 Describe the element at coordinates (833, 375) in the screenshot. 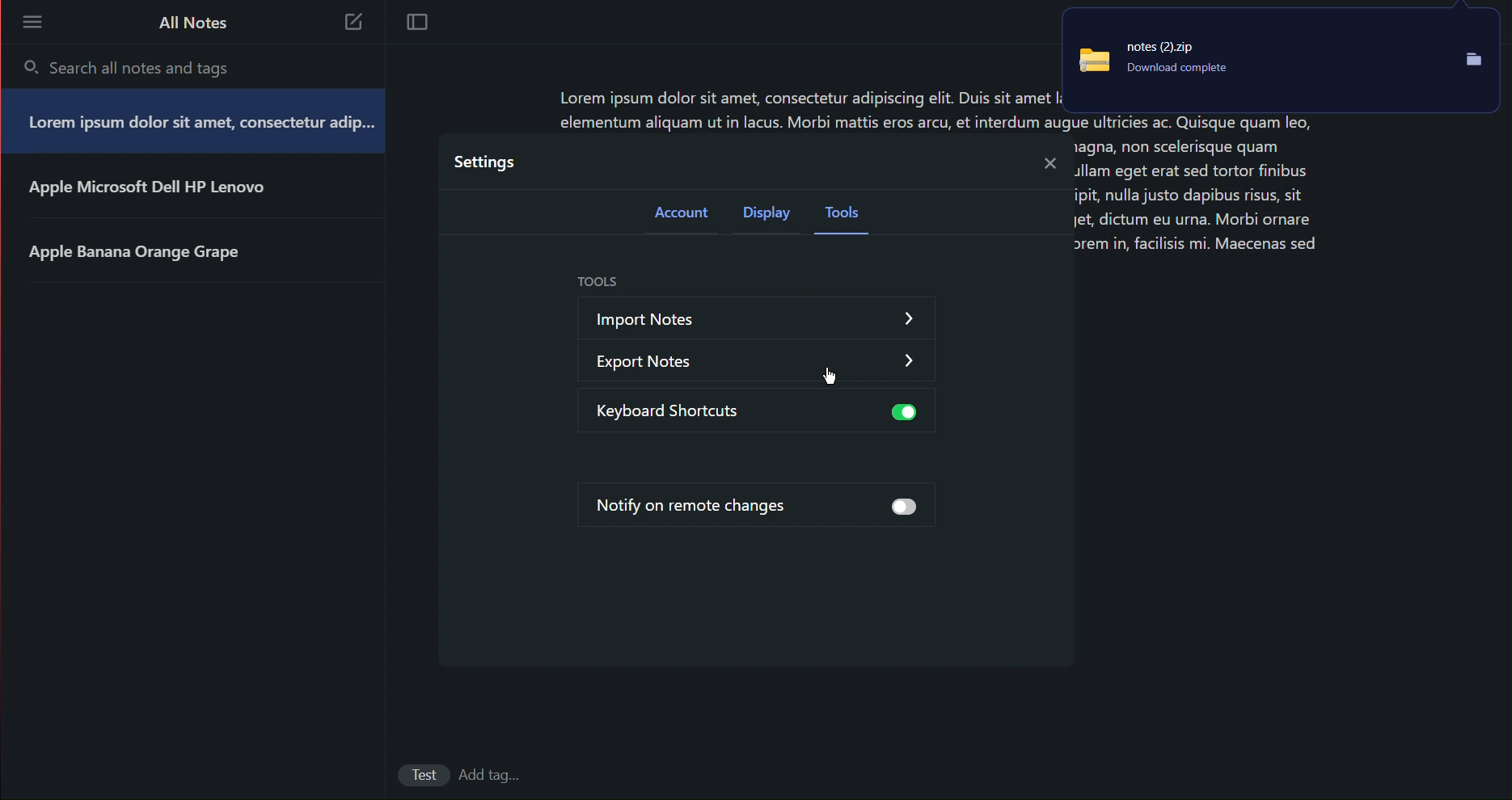

I see `cursor` at that location.